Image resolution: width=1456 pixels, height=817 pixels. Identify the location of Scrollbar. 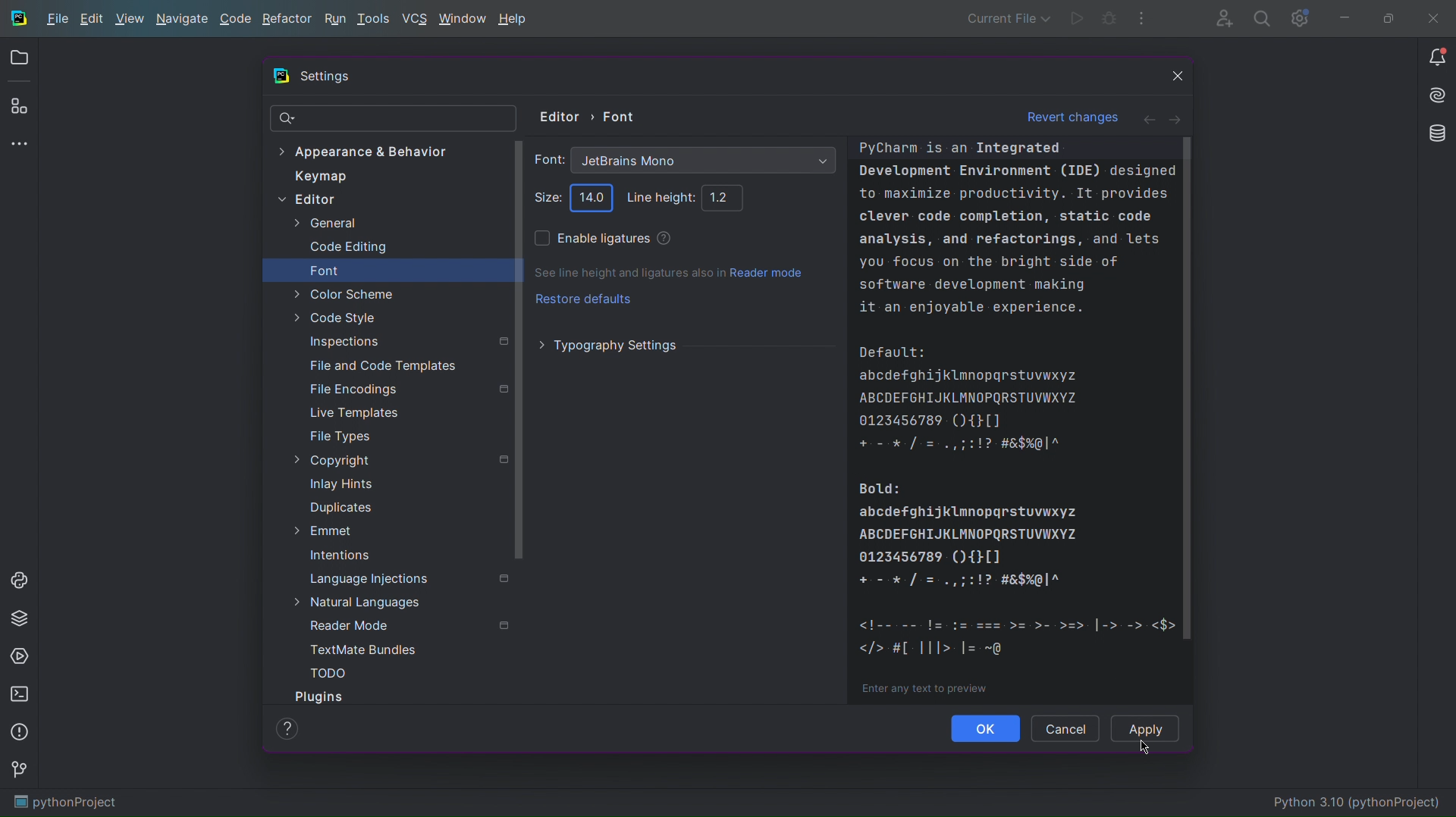
(517, 351).